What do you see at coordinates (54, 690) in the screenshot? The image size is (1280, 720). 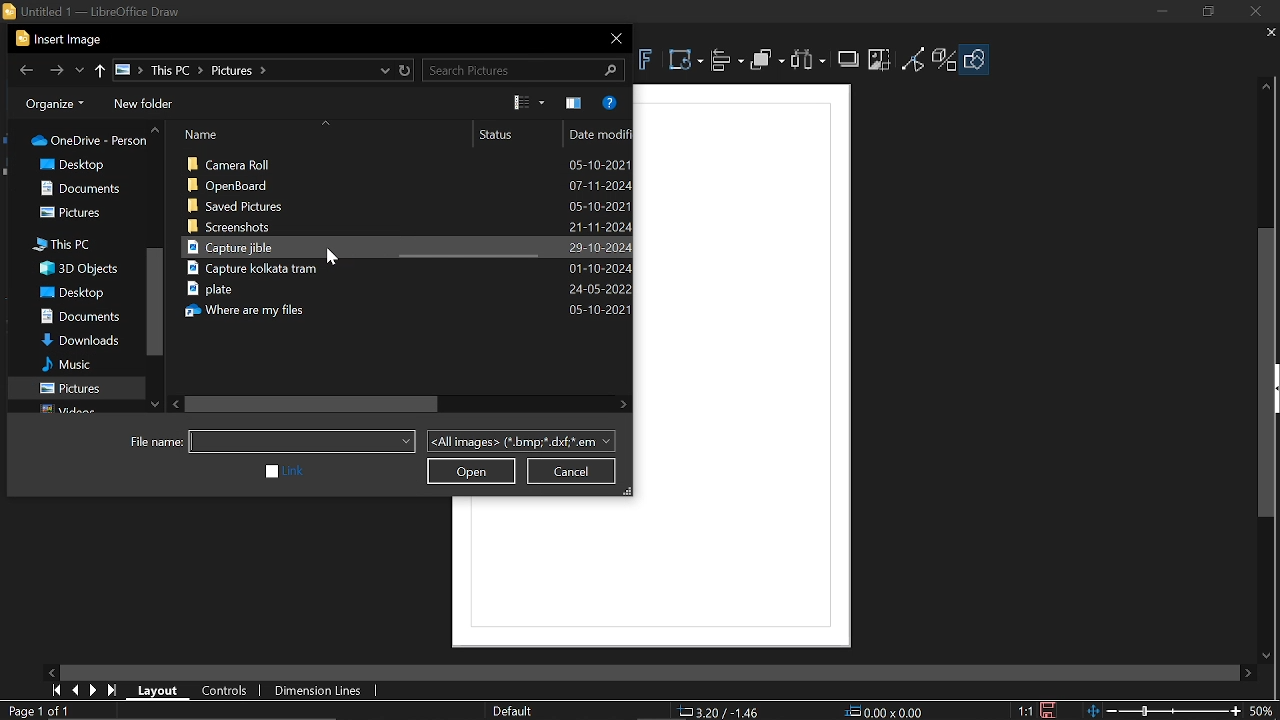 I see `First page` at bounding box center [54, 690].